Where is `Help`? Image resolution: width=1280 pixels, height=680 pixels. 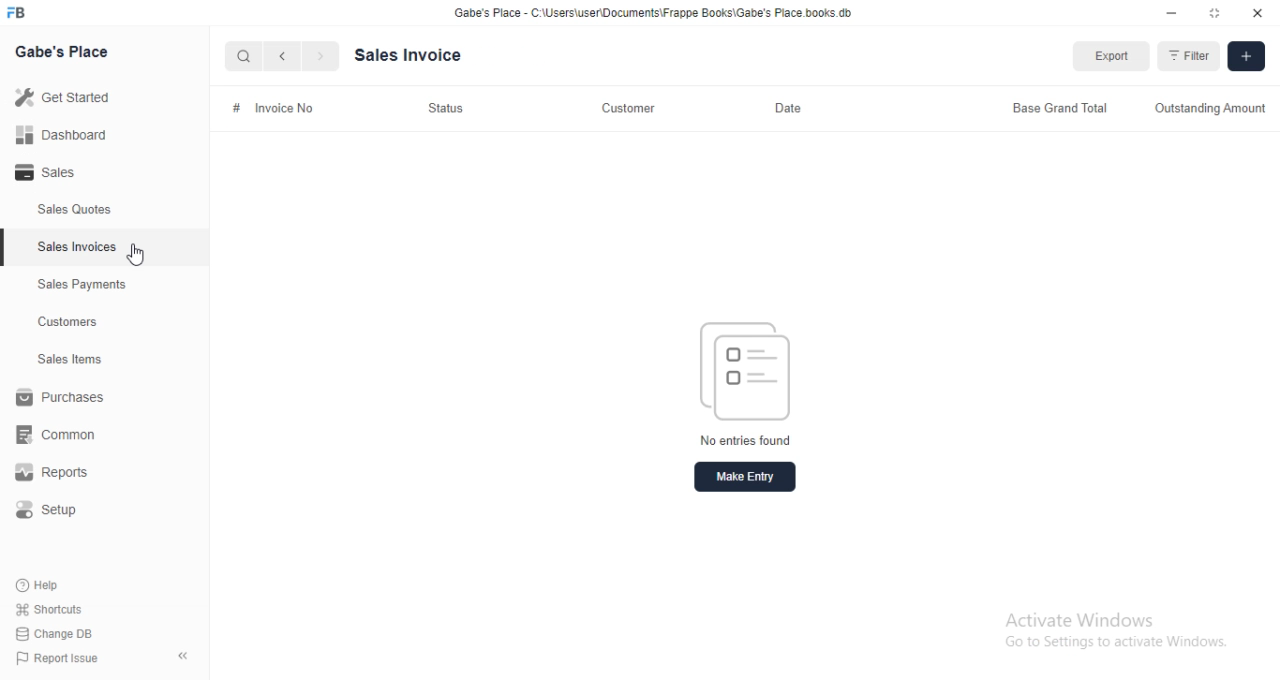 Help is located at coordinates (44, 585).